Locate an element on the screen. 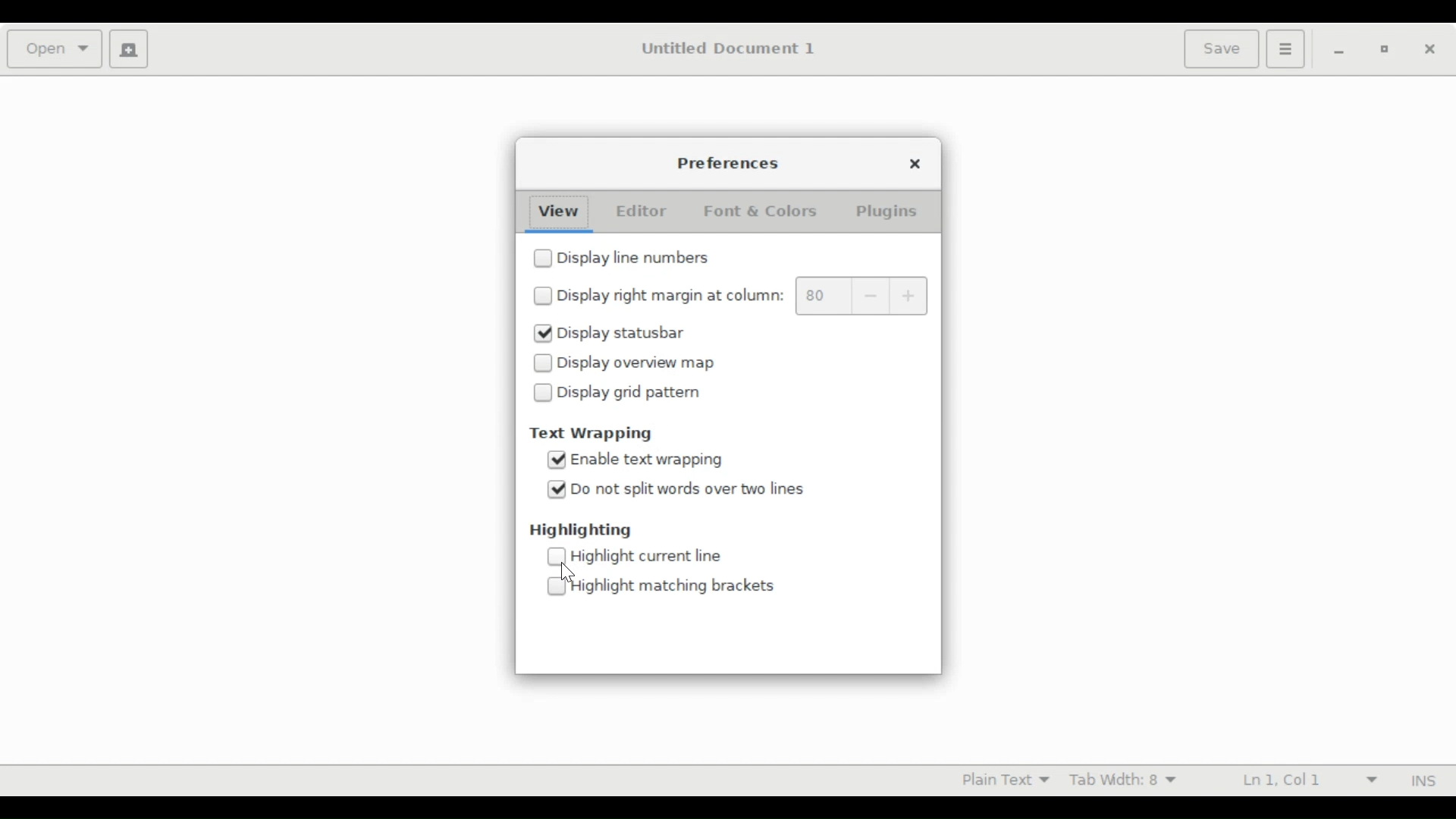  checkbox is located at coordinates (555, 557).